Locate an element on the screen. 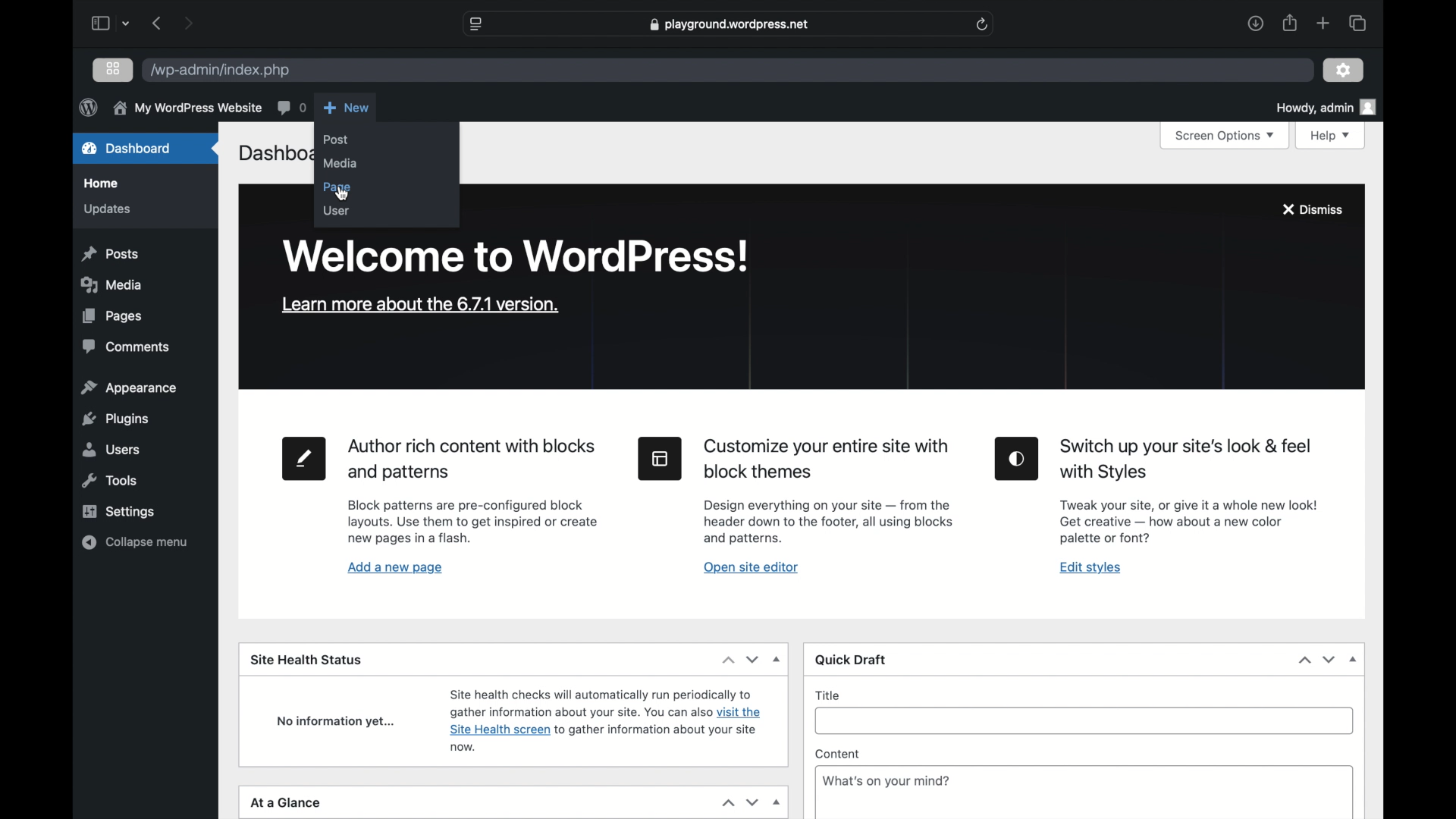 The image size is (1456, 819). no information yet is located at coordinates (337, 723).